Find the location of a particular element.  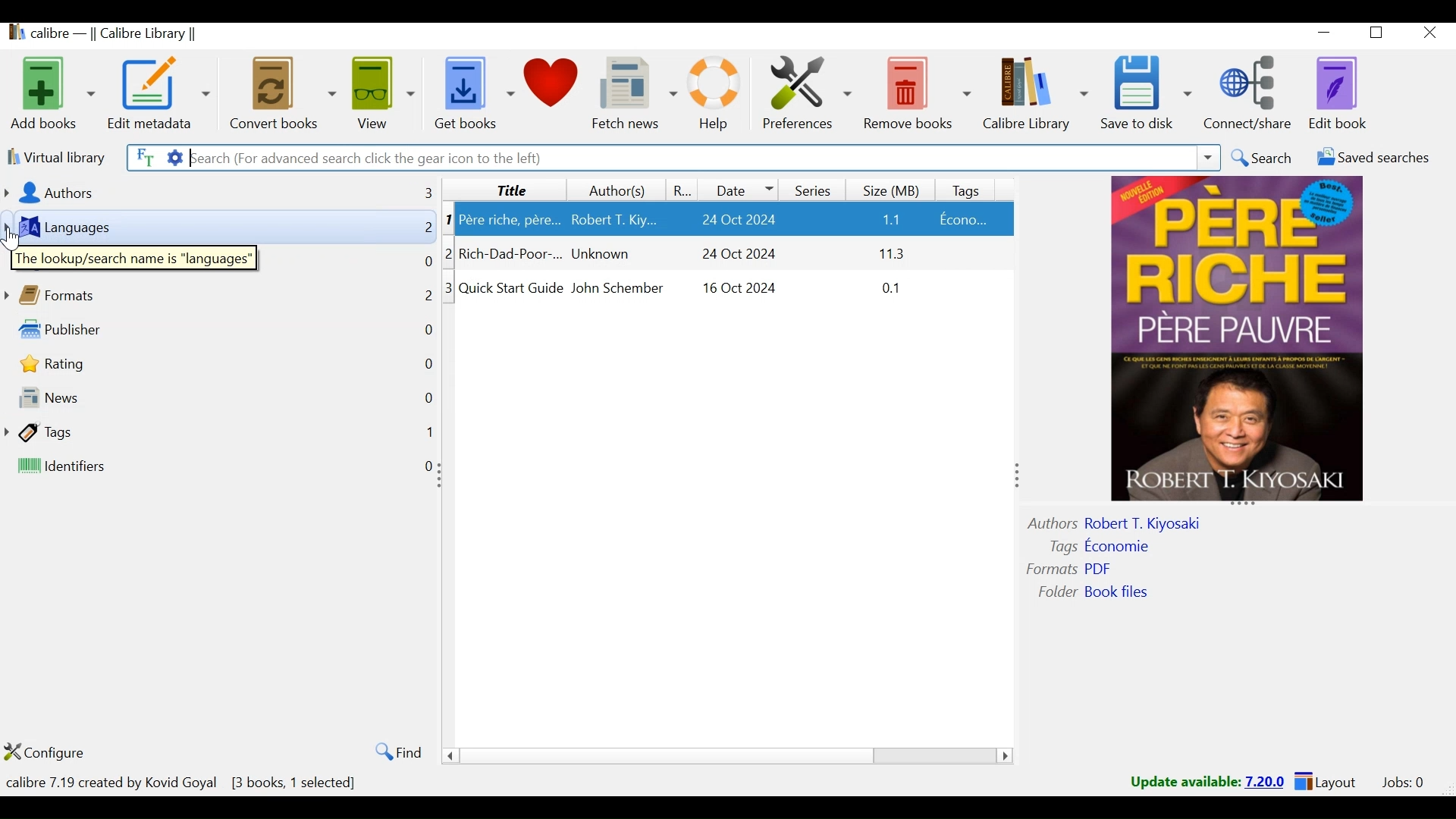

update available is located at coordinates (1185, 782).